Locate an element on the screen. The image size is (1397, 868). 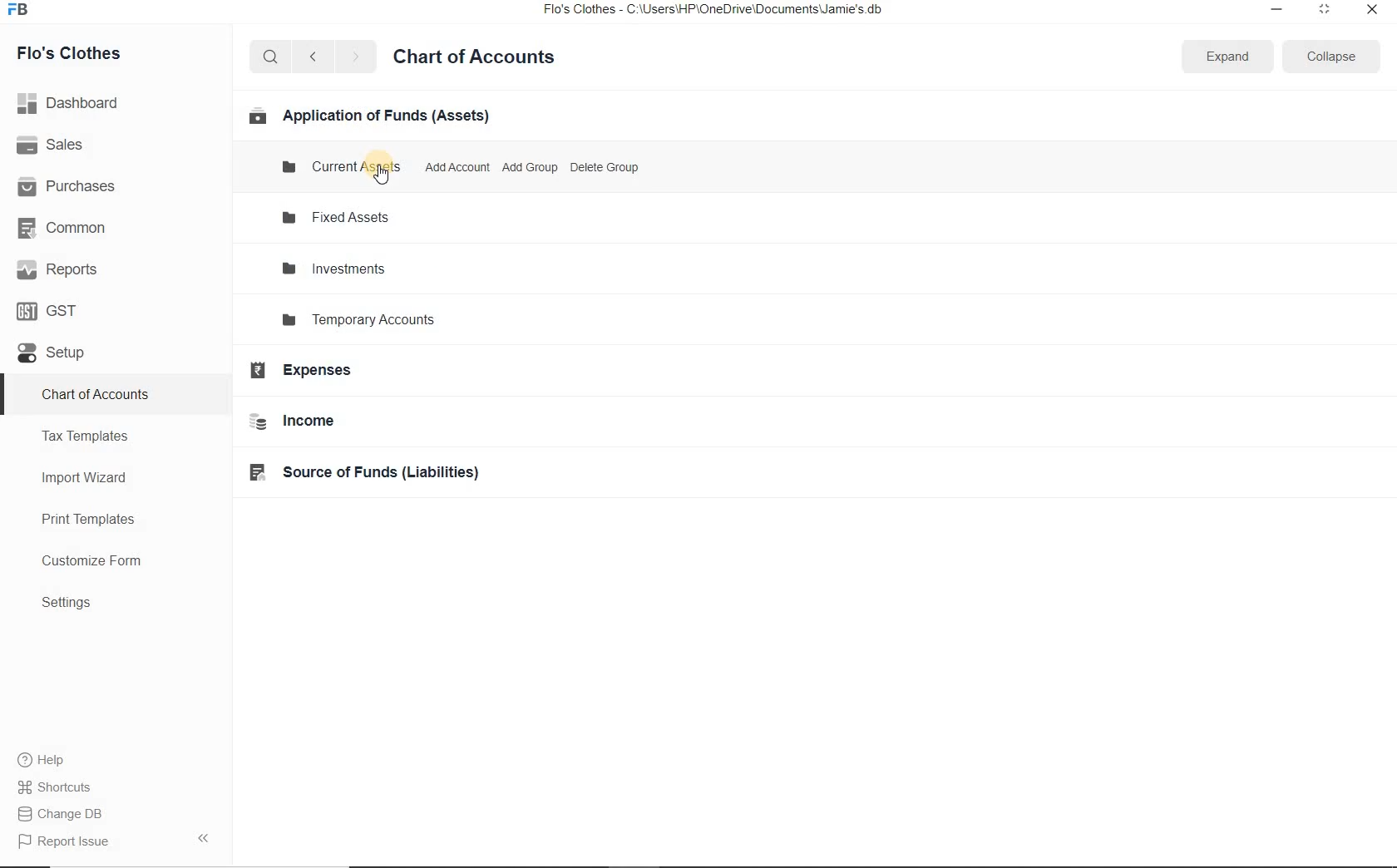
Flo's Clothes is located at coordinates (81, 53).